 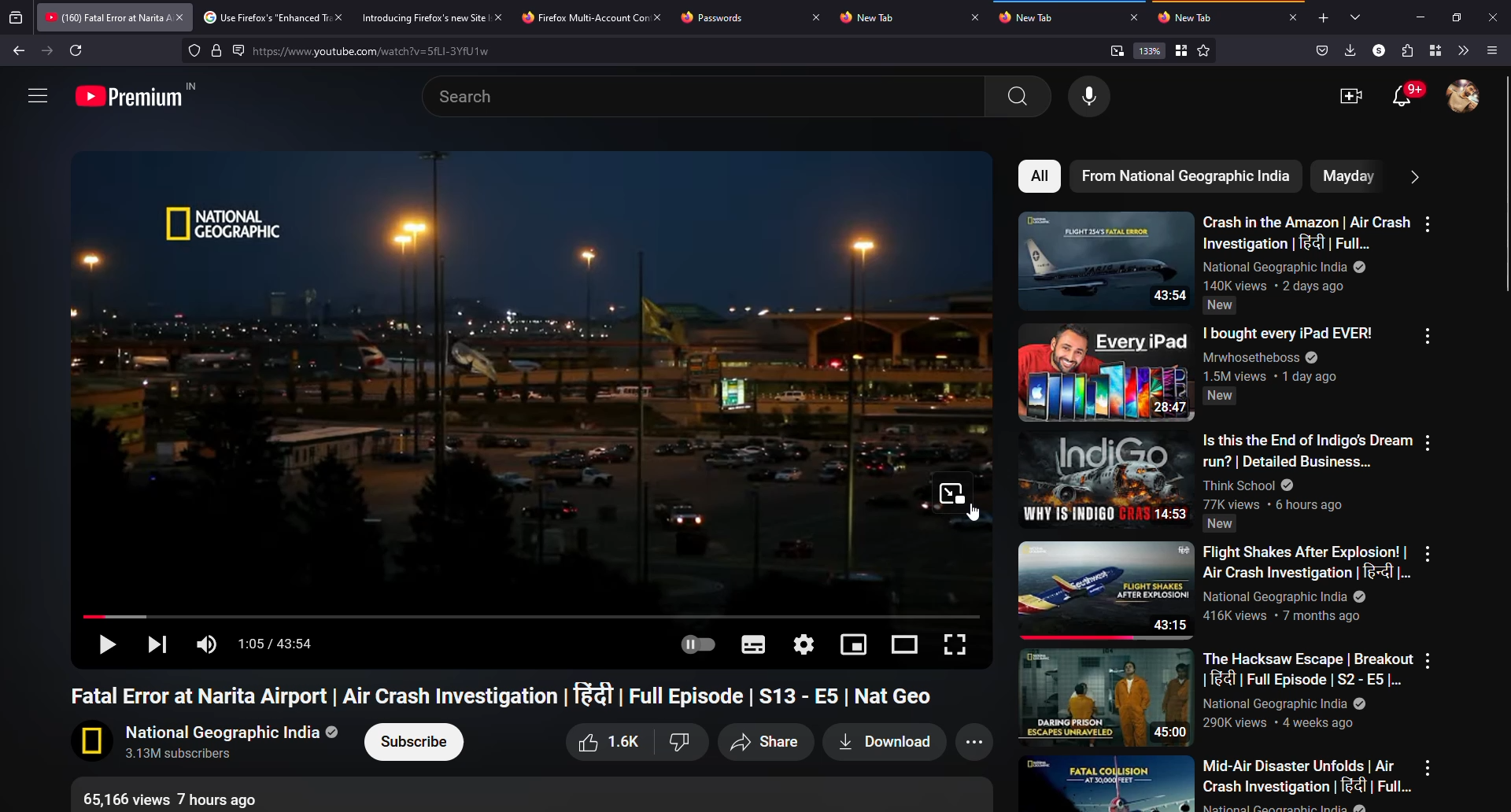 I want to click on Passwords tab, so click(x=718, y=19).